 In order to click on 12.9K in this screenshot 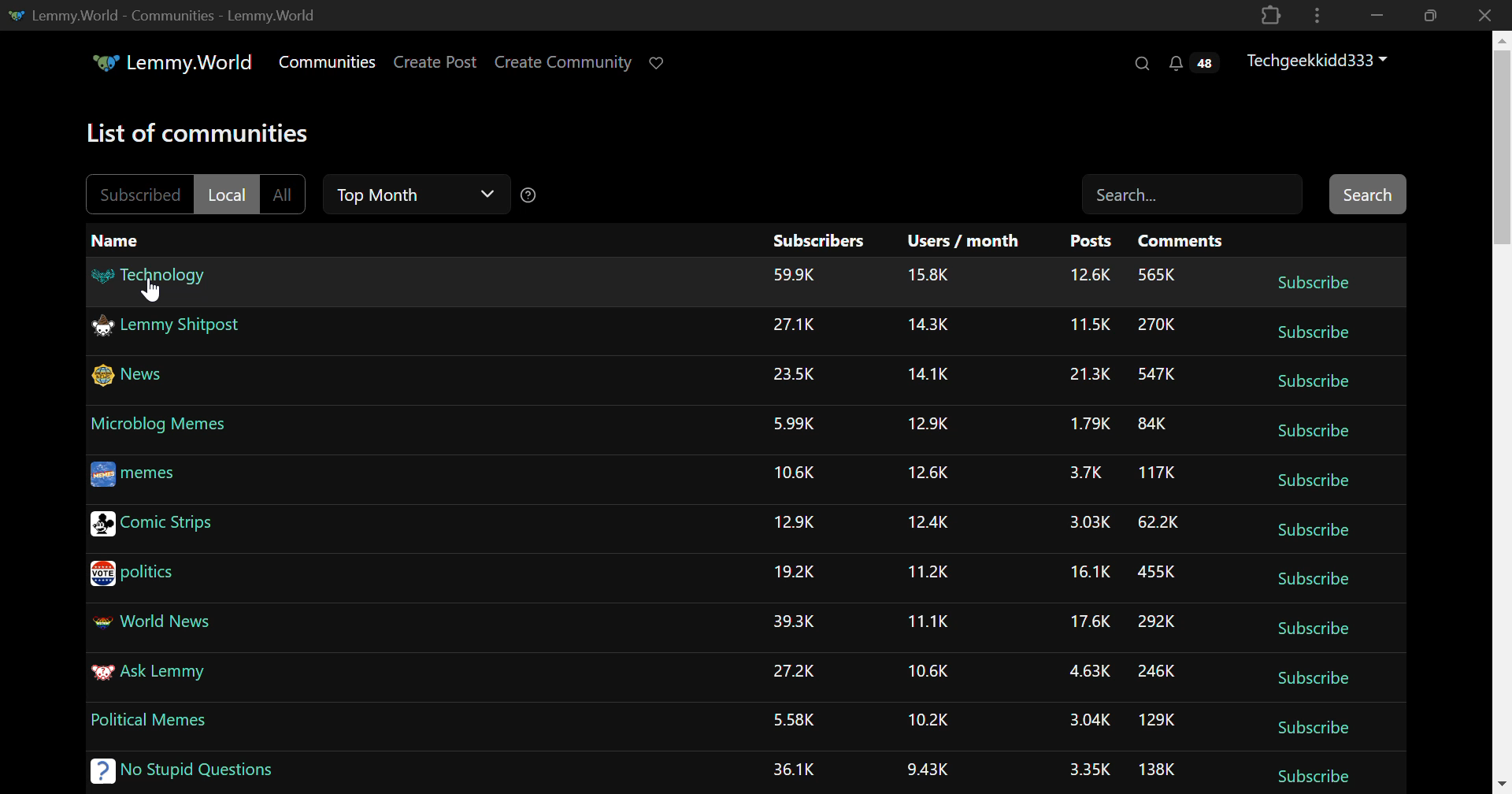, I will do `click(795, 524)`.